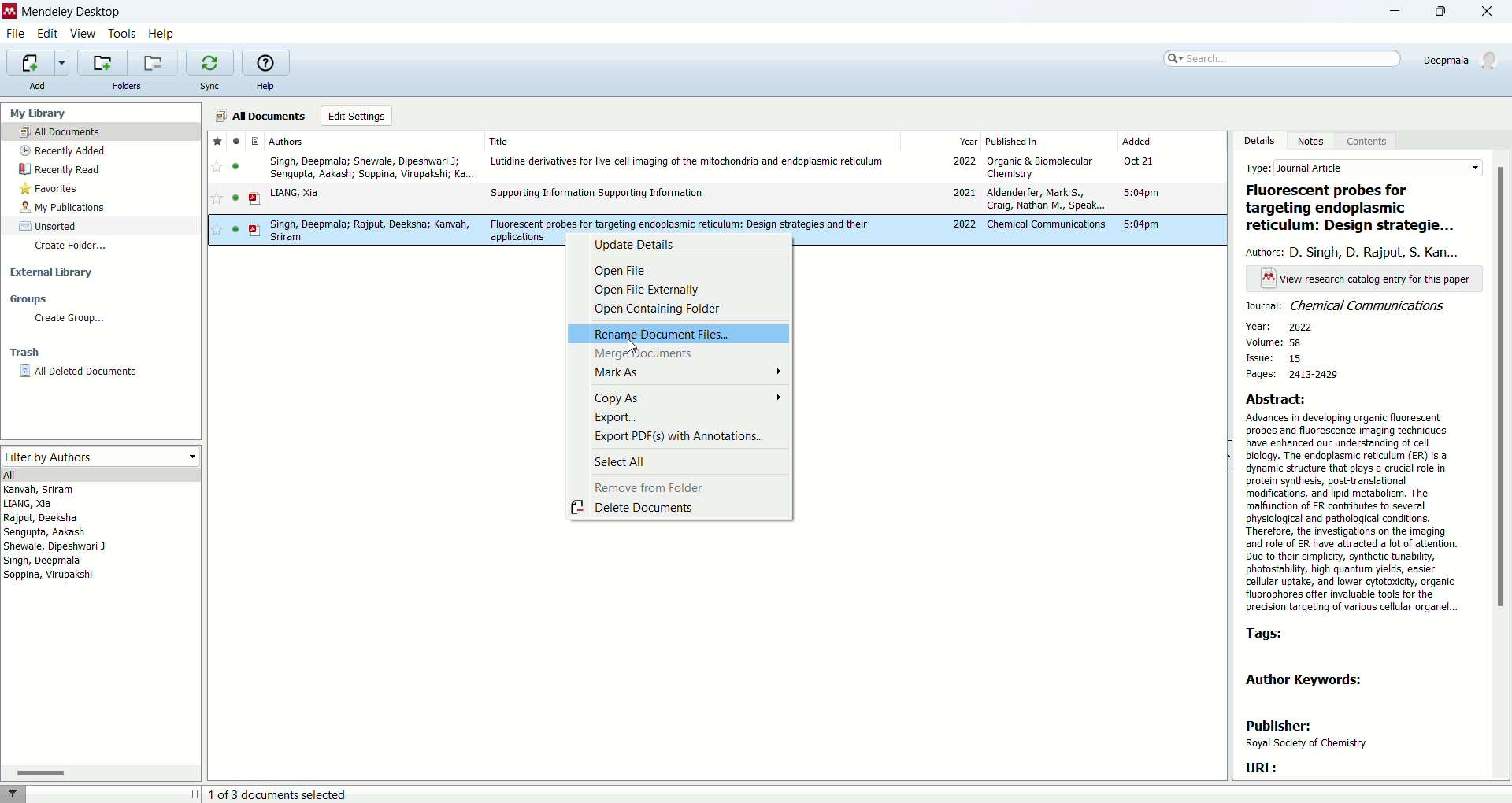 The image size is (1512, 803). What do you see at coordinates (1142, 162) in the screenshot?
I see `Oct 21` at bounding box center [1142, 162].